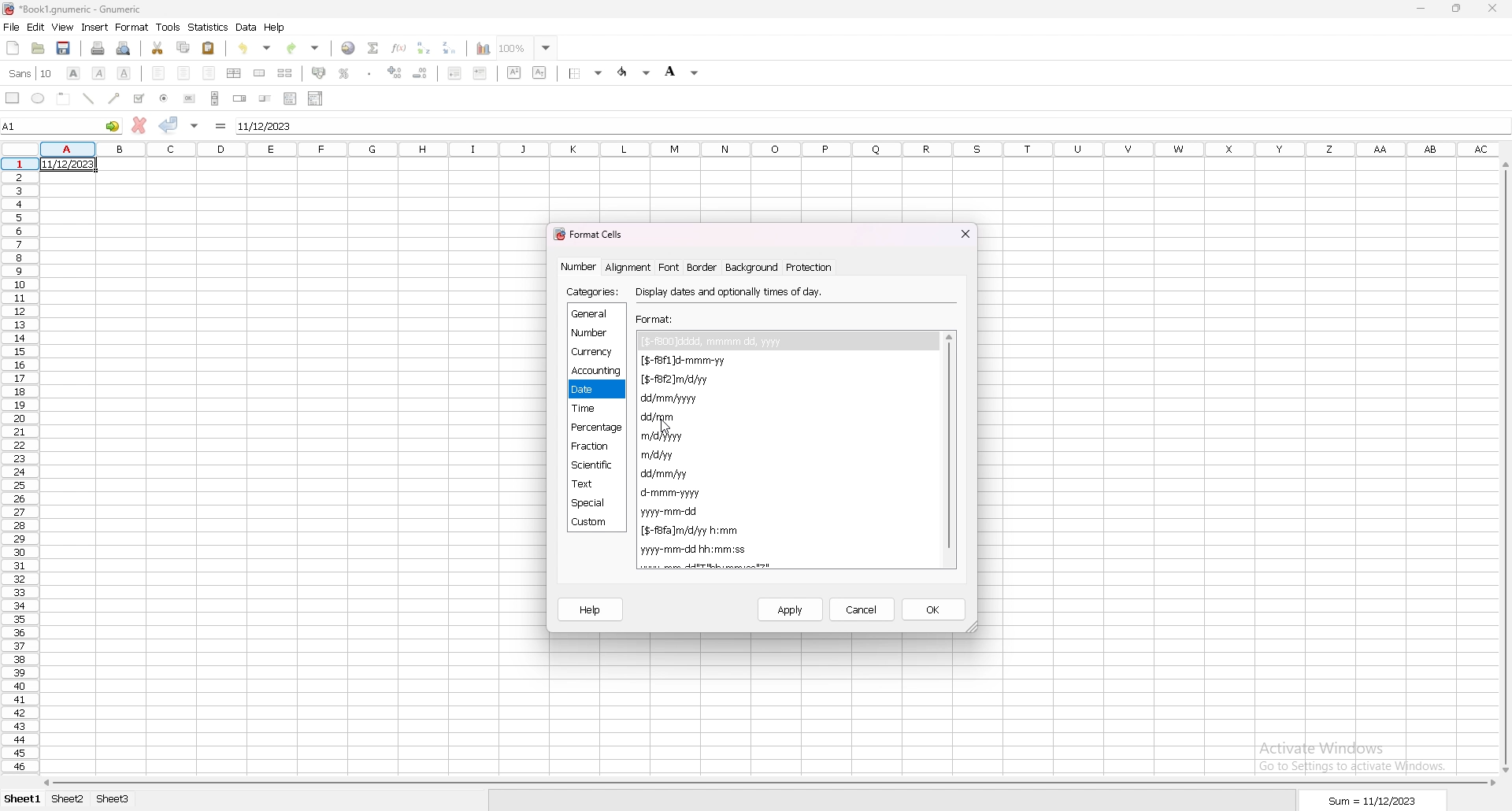  What do you see at coordinates (1494, 9) in the screenshot?
I see `close` at bounding box center [1494, 9].